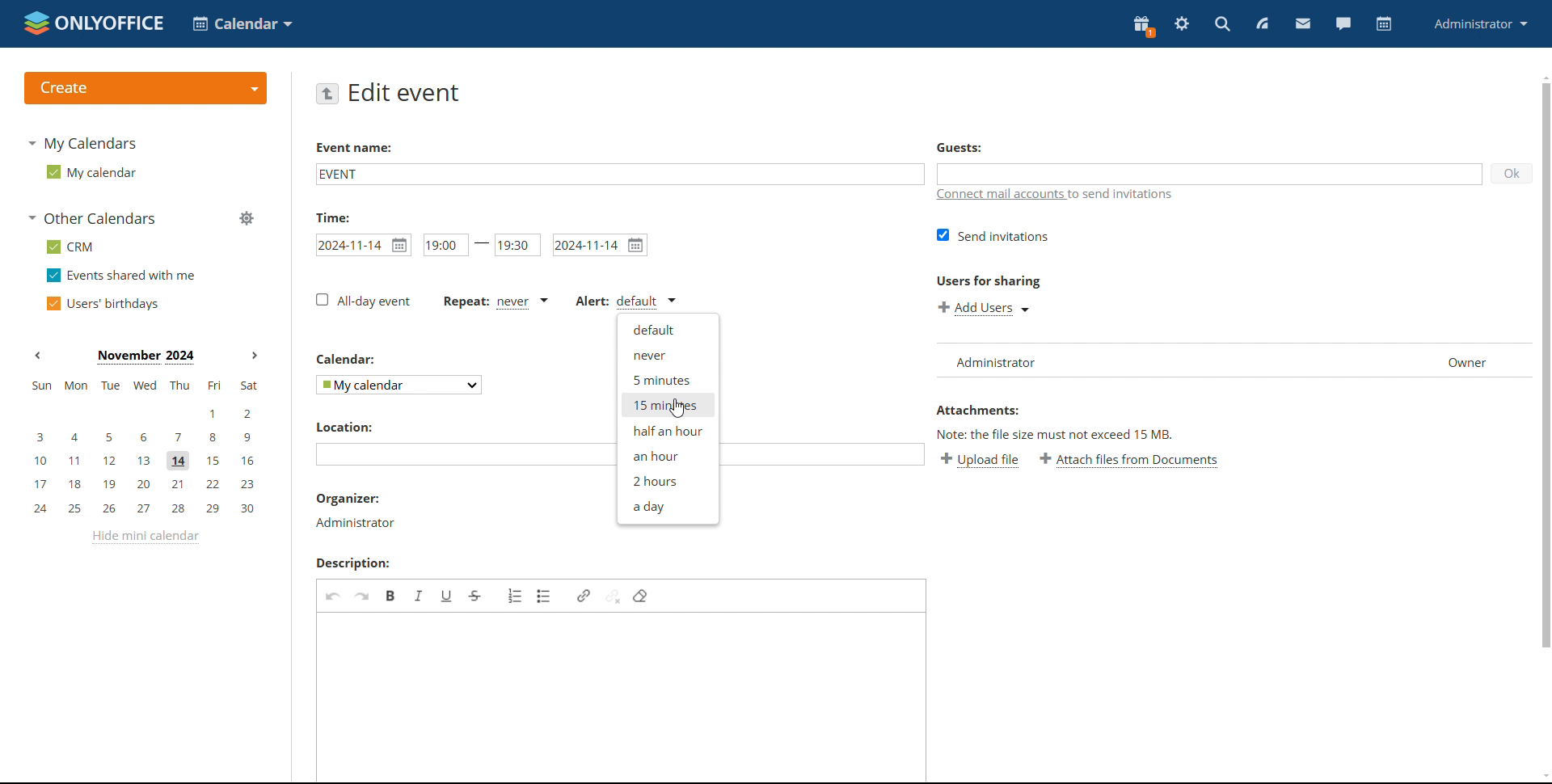 This screenshot has width=1552, height=784. What do you see at coordinates (82, 142) in the screenshot?
I see `my calendars` at bounding box center [82, 142].